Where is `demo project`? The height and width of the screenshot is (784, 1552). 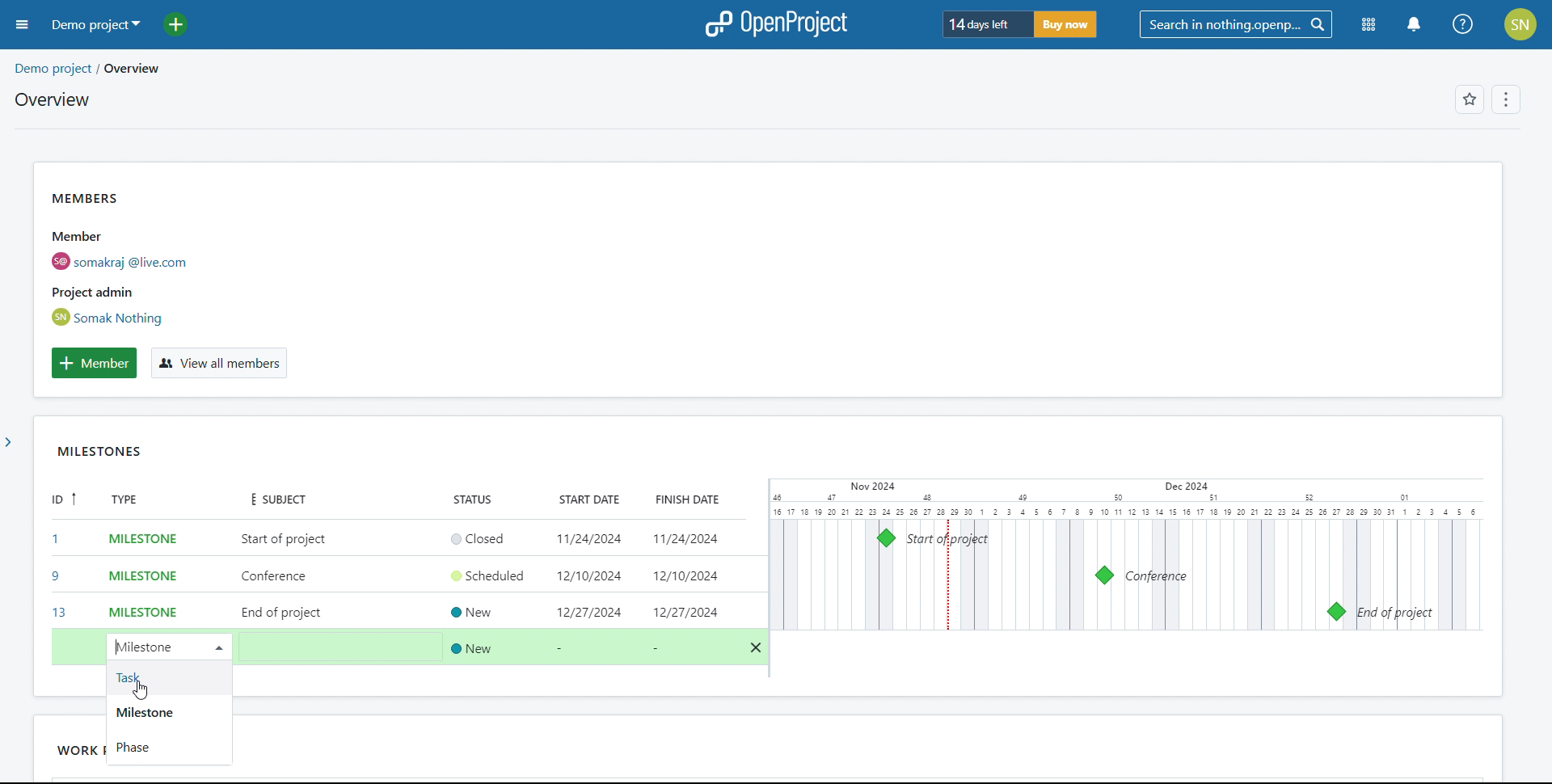
demo project is located at coordinates (94, 24).